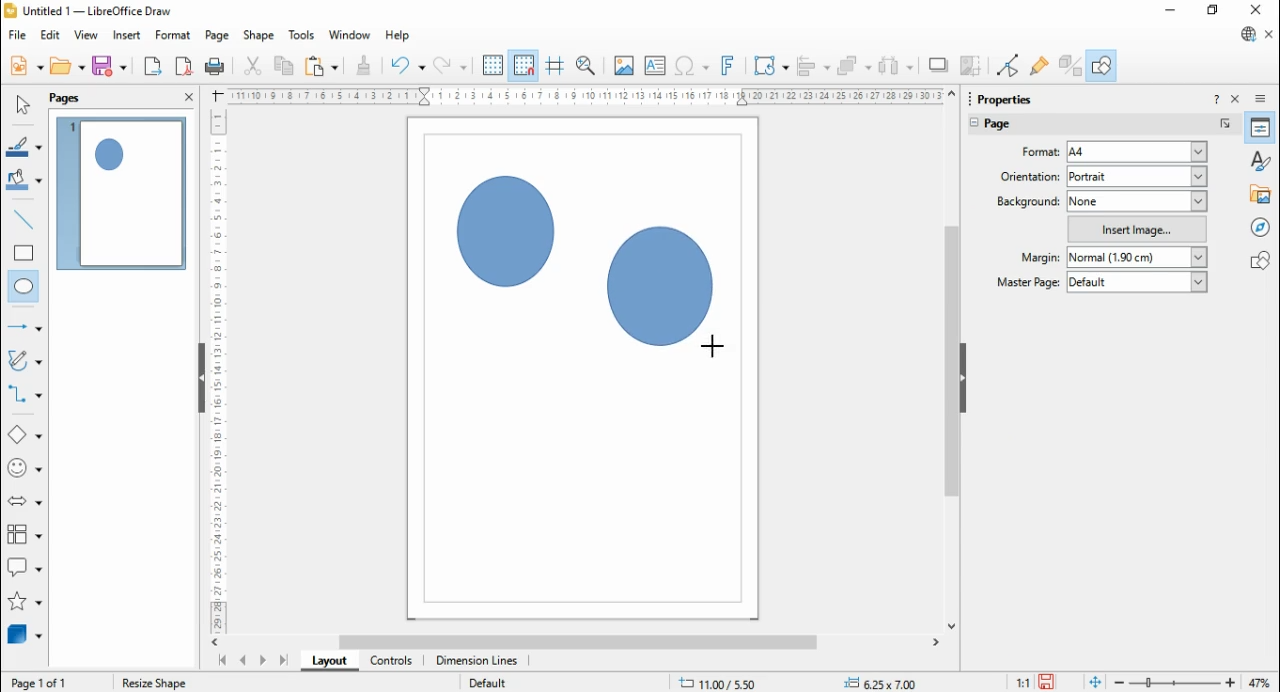  What do you see at coordinates (1262, 193) in the screenshot?
I see `gallery` at bounding box center [1262, 193].